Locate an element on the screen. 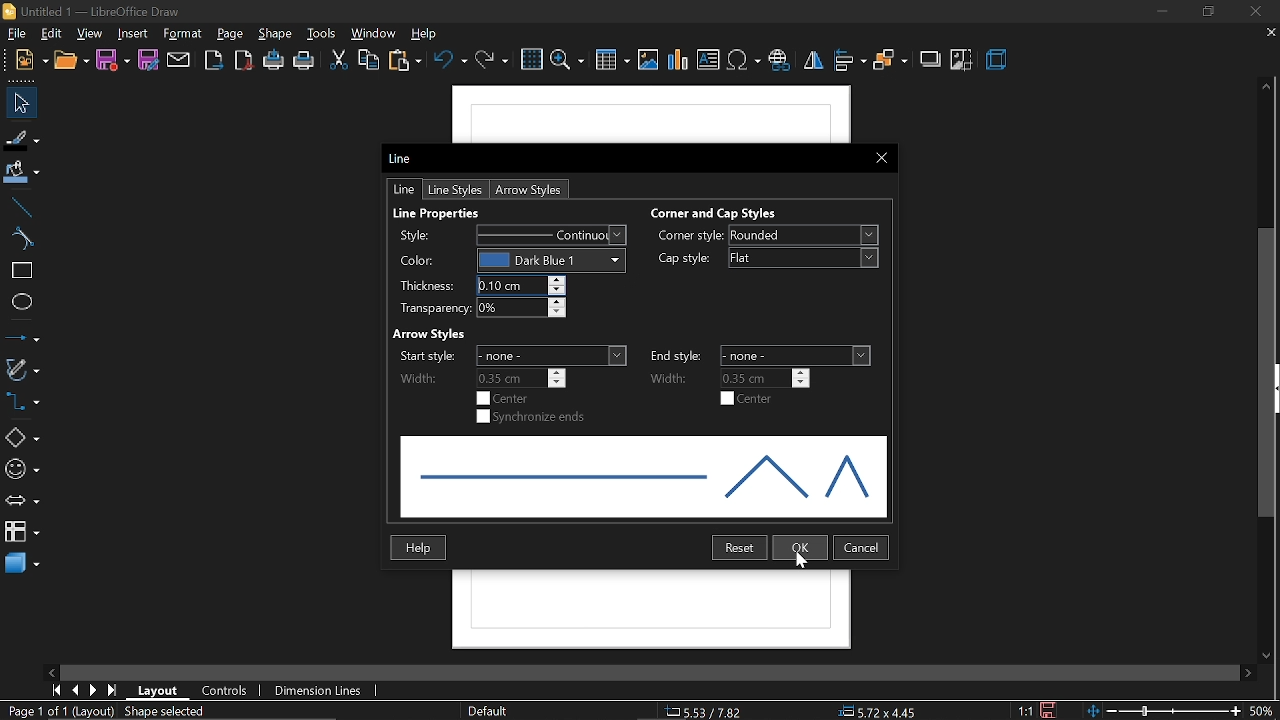  format is located at coordinates (184, 34).